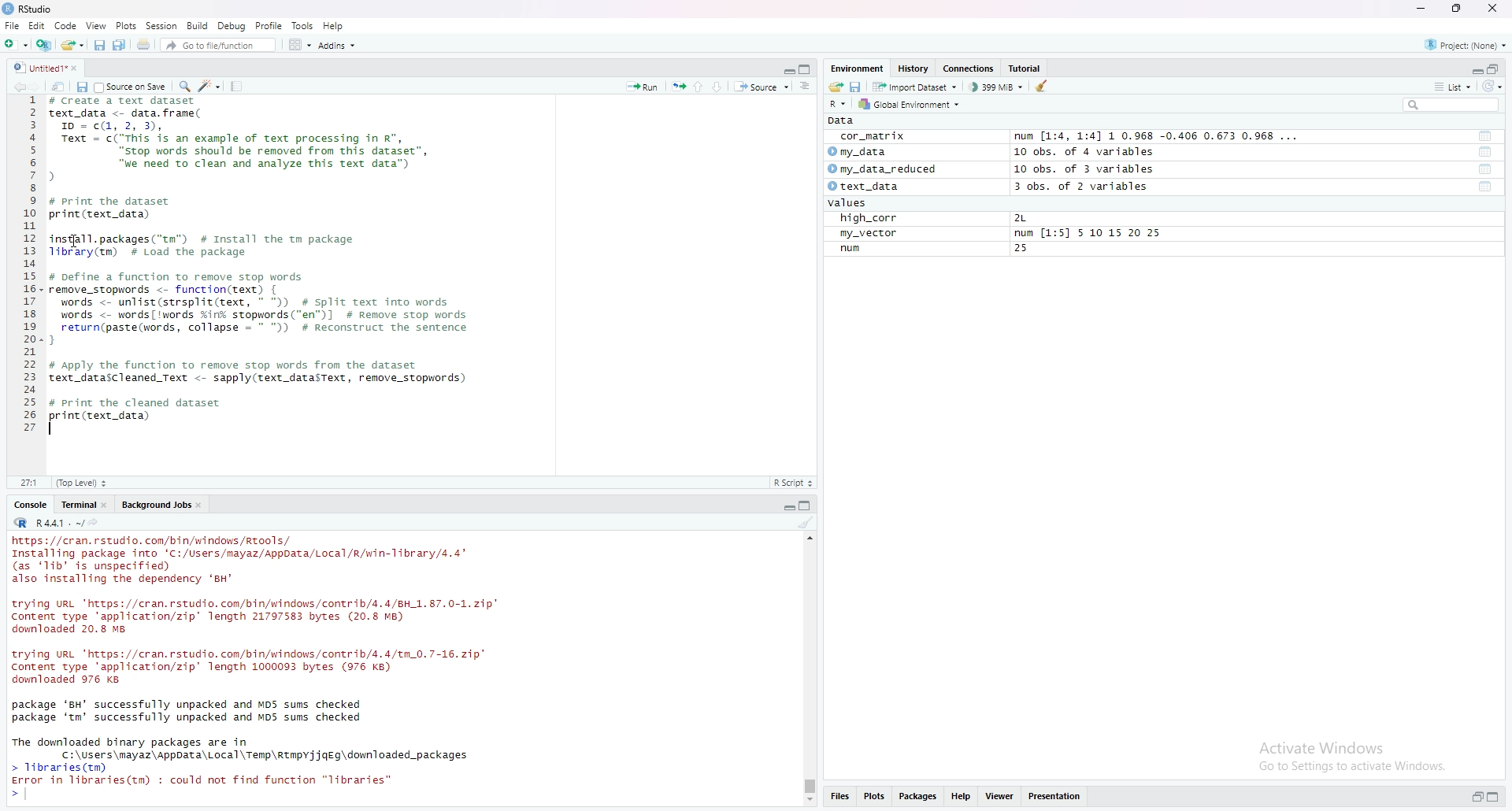 Image resolution: width=1512 pixels, height=811 pixels. What do you see at coordinates (700, 85) in the screenshot?
I see `go to previous section` at bounding box center [700, 85].